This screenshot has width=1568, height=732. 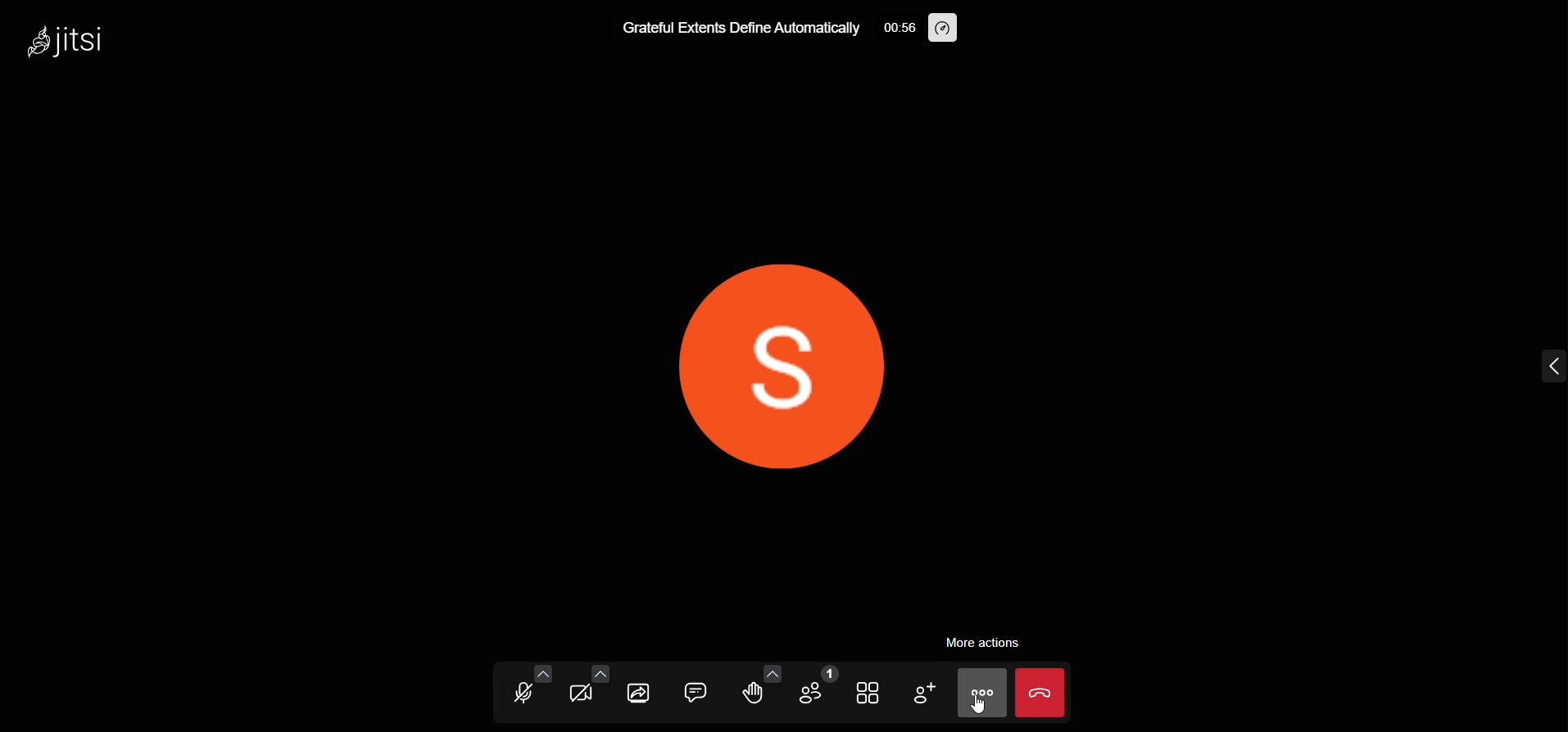 I want to click on microphone, so click(x=520, y=695).